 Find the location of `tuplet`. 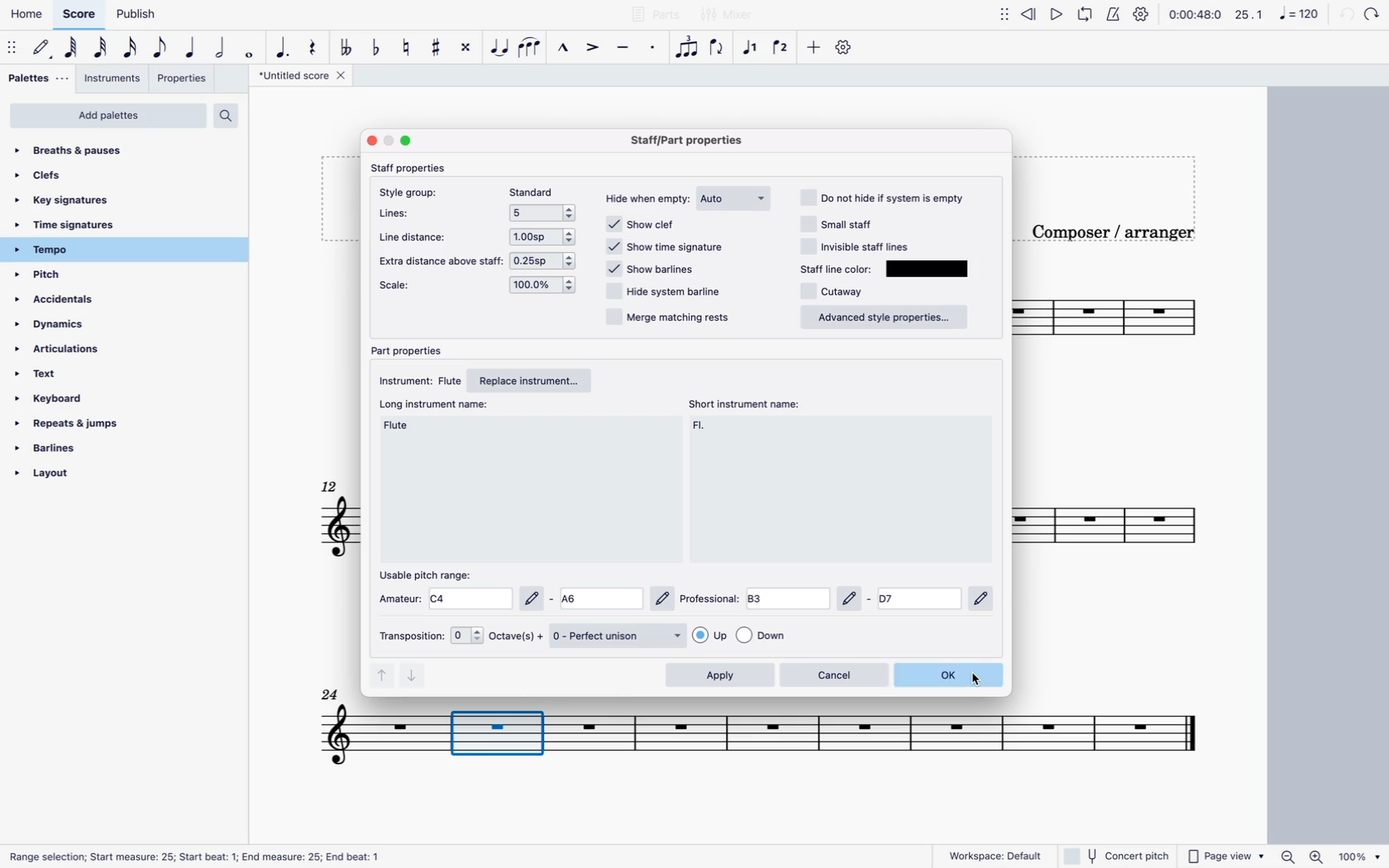

tuplet is located at coordinates (686, 48).